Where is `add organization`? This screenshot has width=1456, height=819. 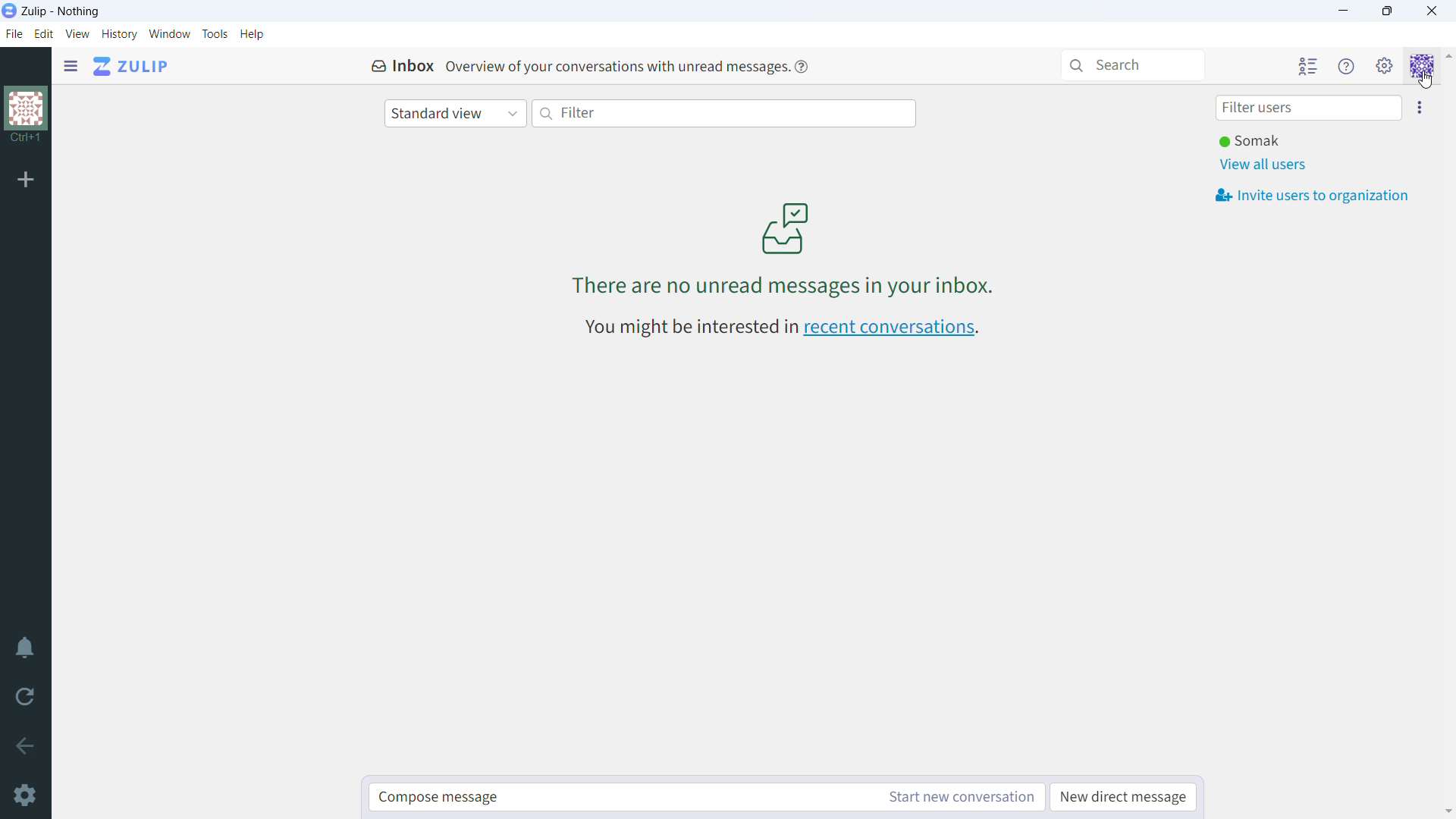 add organization is located at coordinates (25, 180).